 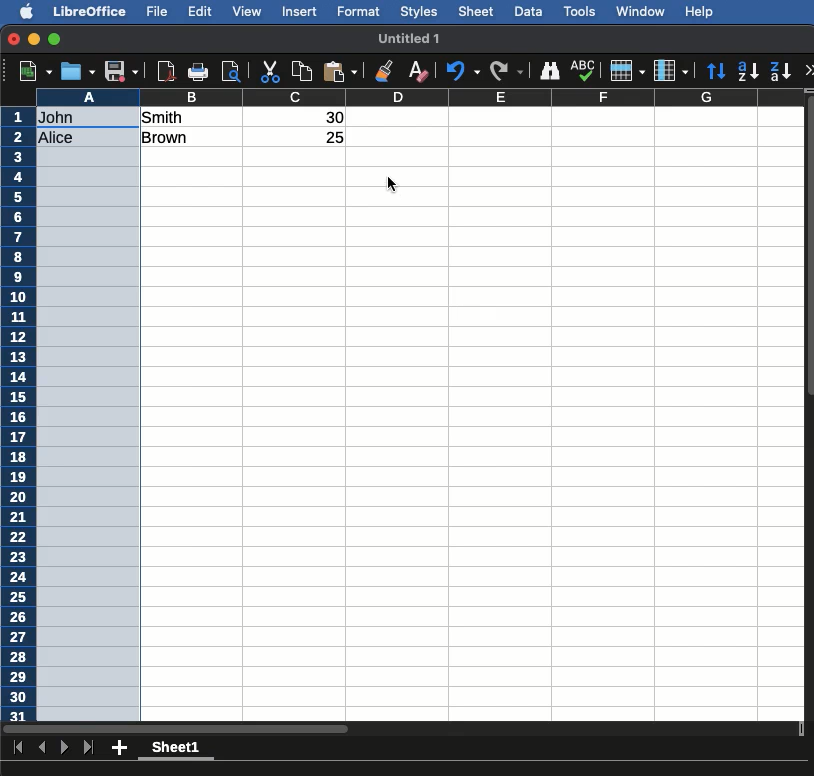 What do you see at coordinates (66, 746) in the screenshot?
I see `Next sheet` at bounding box center [66, 746].